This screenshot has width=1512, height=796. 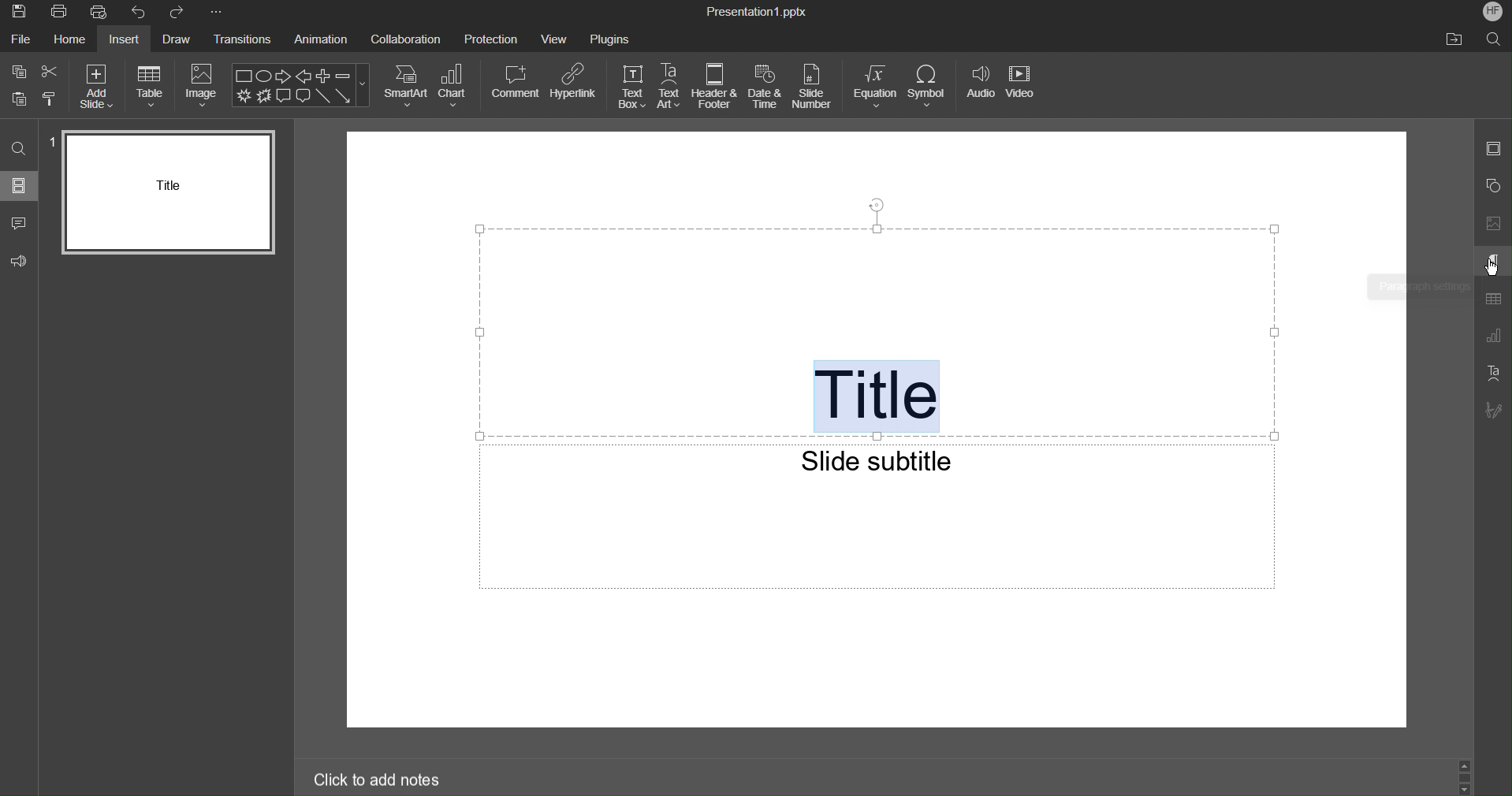 What do you see at coordinates (242, 41) in the screenshot?
I see `Transitions` at bounding box center [242, 41].